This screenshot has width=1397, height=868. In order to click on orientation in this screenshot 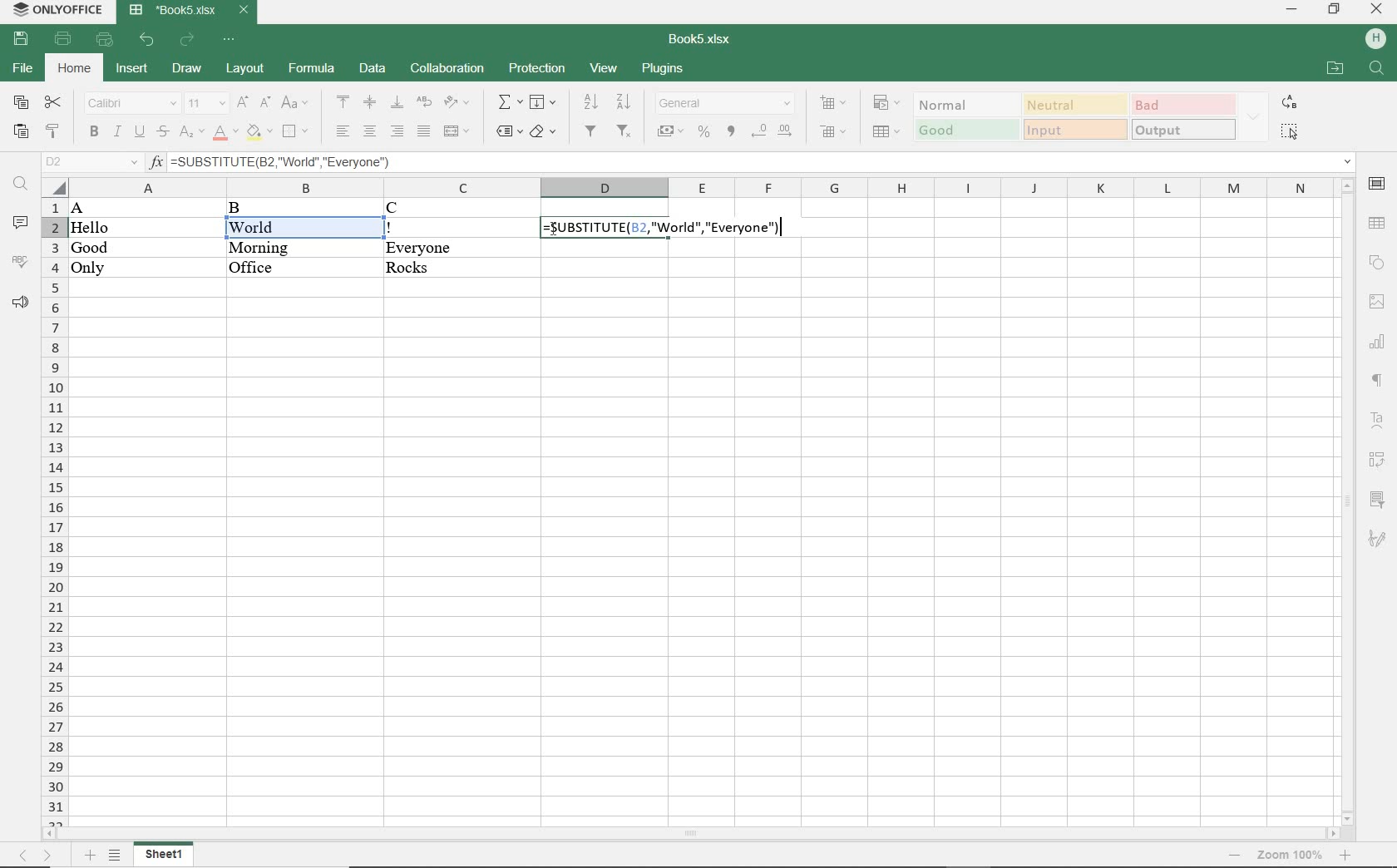, I will do `click(457, 104)`.